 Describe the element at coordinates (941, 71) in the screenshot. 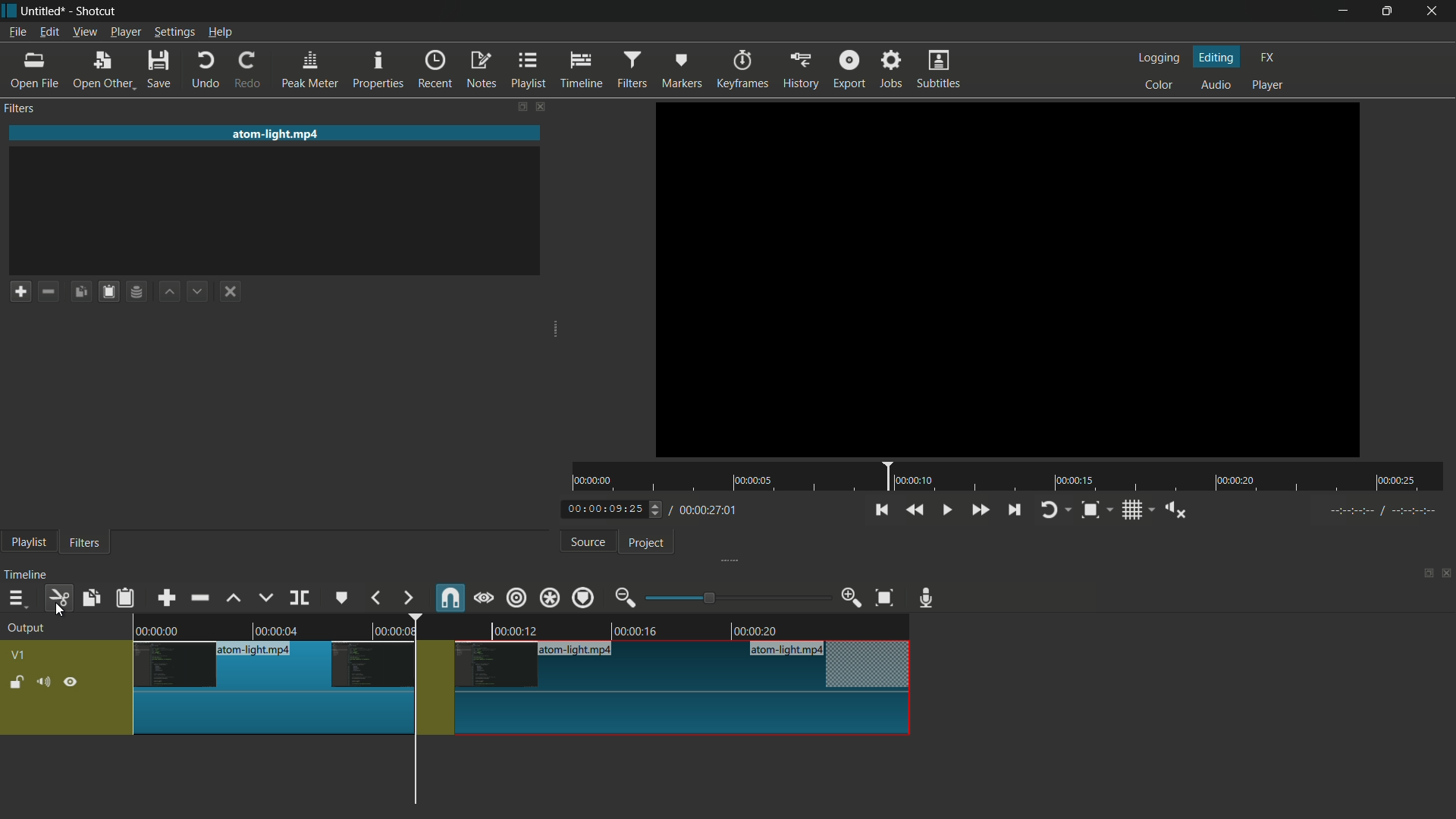

I see `subtitles` at that location.